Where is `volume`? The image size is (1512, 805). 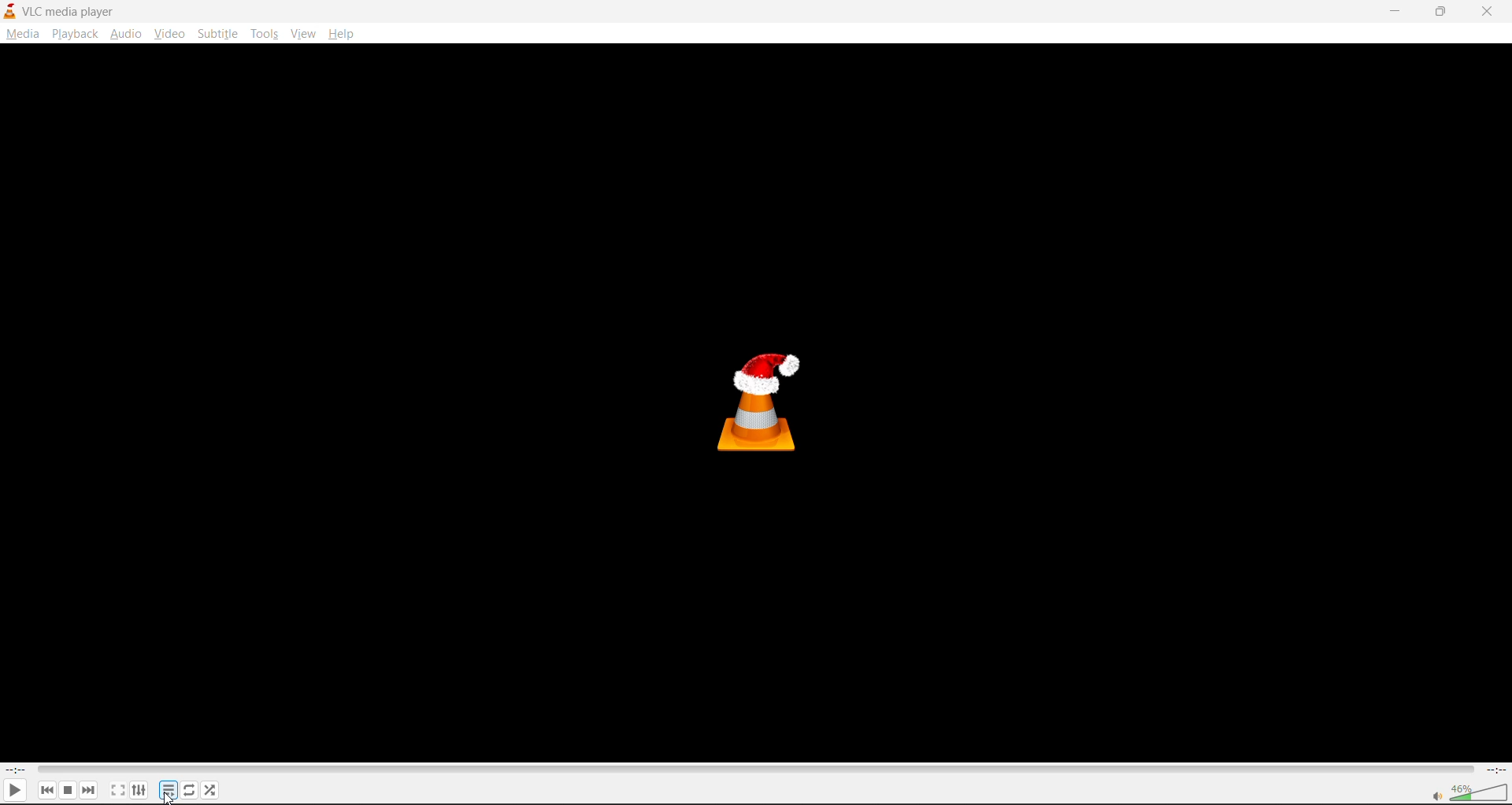
volume is located at coordinates (1469, 792).